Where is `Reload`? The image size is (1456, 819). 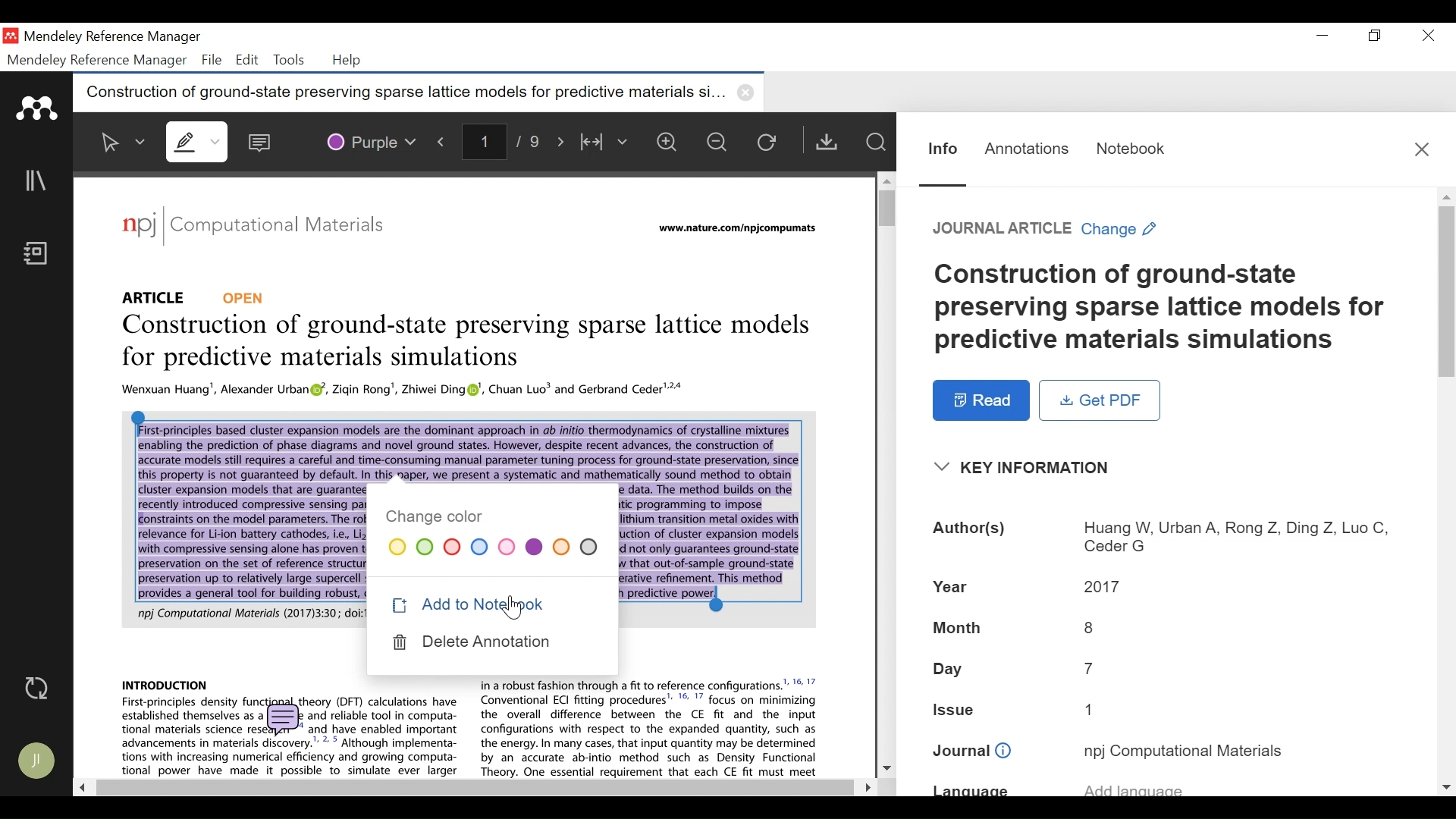
Reload is located at coordinates (770, 141).